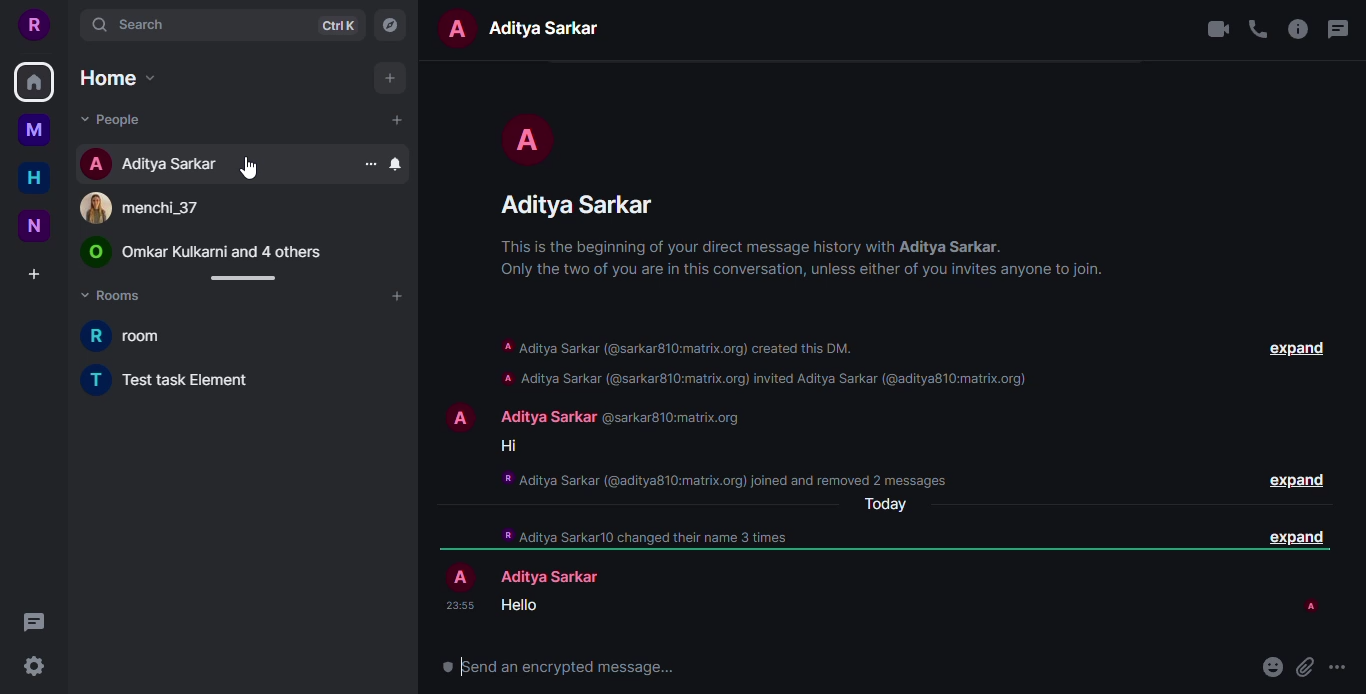 The width and height of the screenshot is (1366, 694). Describe the element at coordinates (33, 665) in the screenshot. I see `quick settings` at that location.